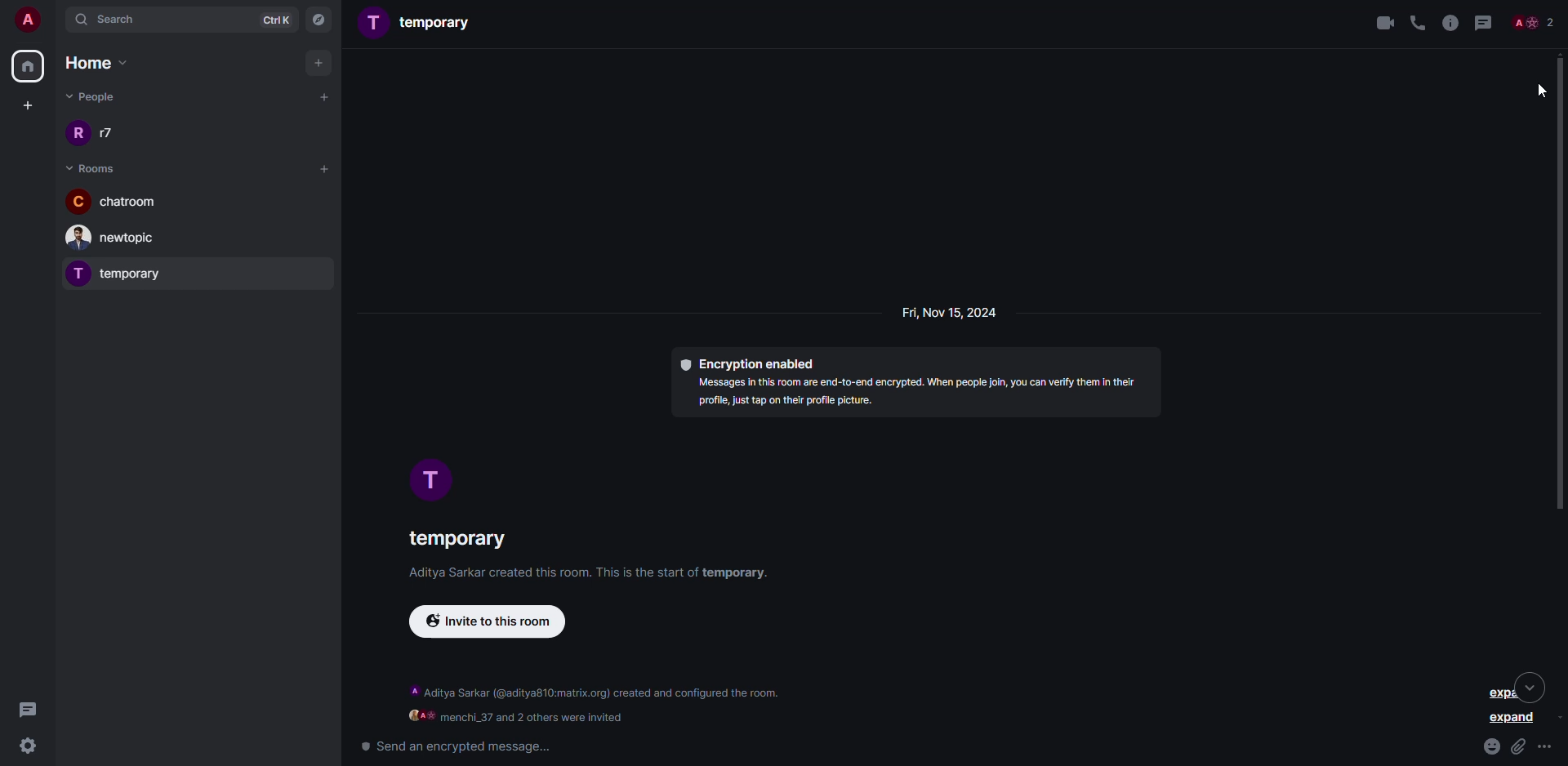 Image resolution: width=1568 pixels, height=766 pixels. What do you see at coordinates (121, 273) in the screenshot?
I see `temporary` at bounding box center [121, 273].